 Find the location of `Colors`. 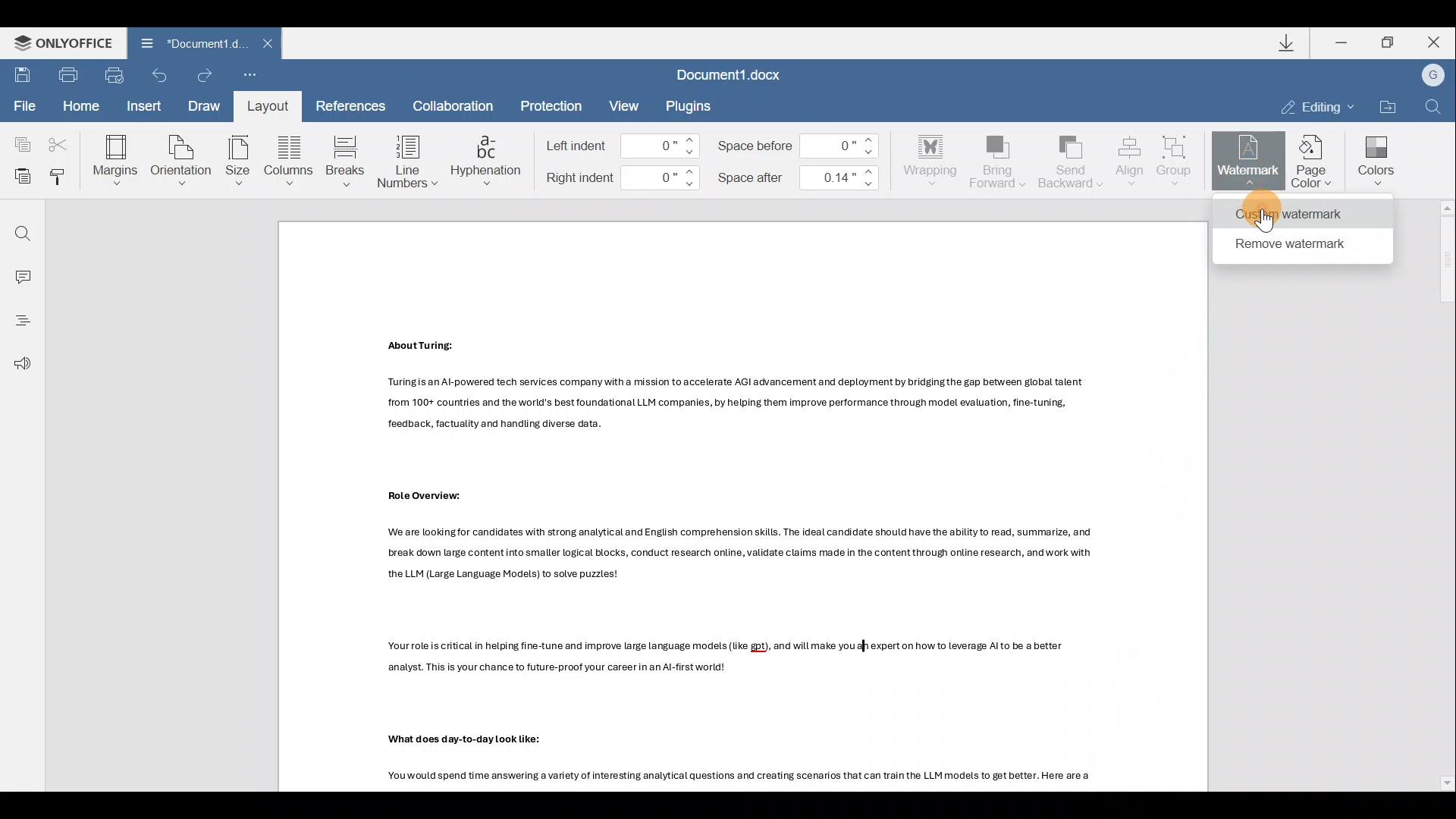

Colors is located at coordinates (1375, 162).